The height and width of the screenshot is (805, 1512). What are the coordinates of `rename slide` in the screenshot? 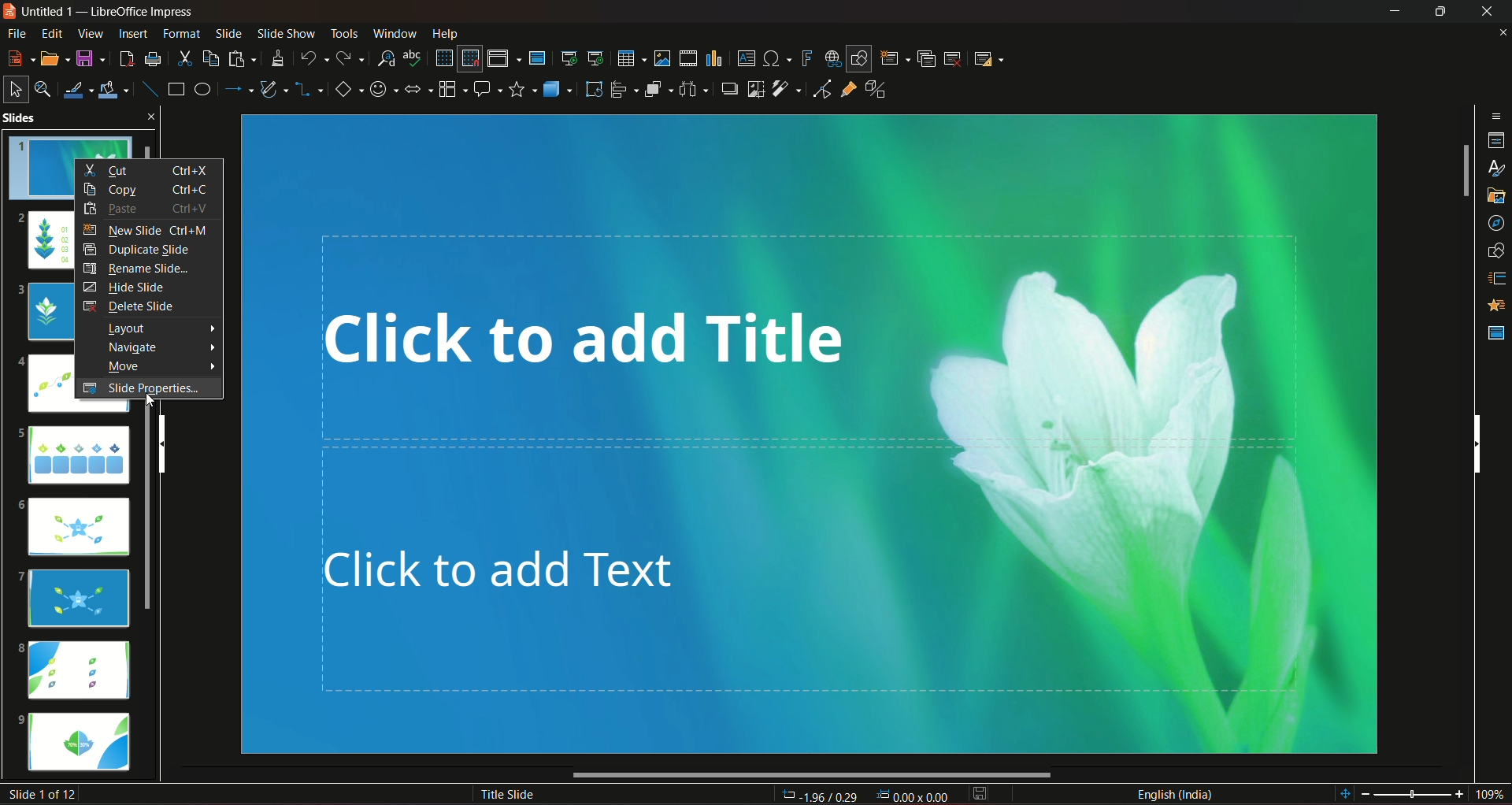 It's located at (139, 269).